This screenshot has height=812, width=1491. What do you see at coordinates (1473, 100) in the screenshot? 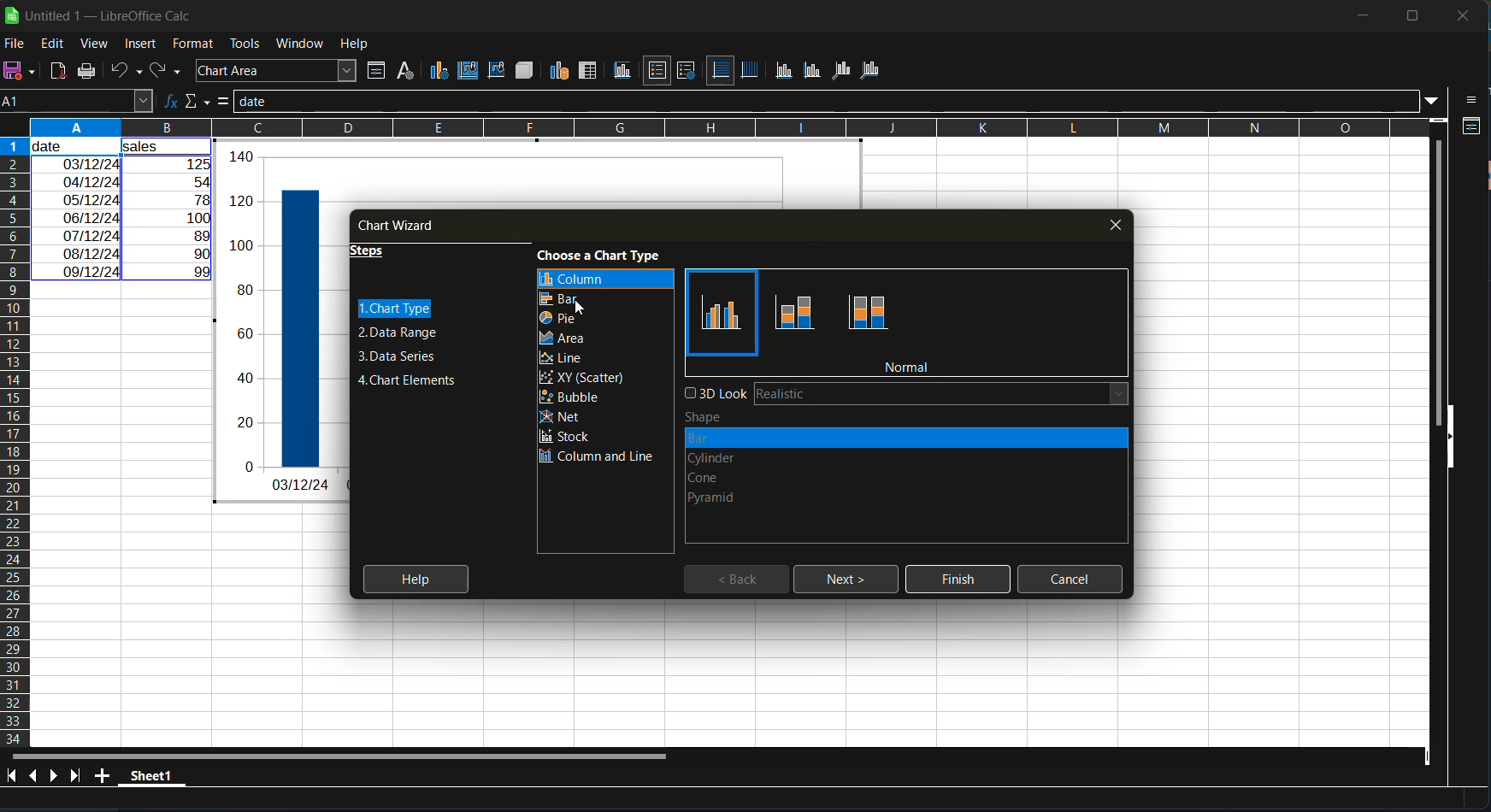
I see `side bar settings` at bounding box center [1473, 100].